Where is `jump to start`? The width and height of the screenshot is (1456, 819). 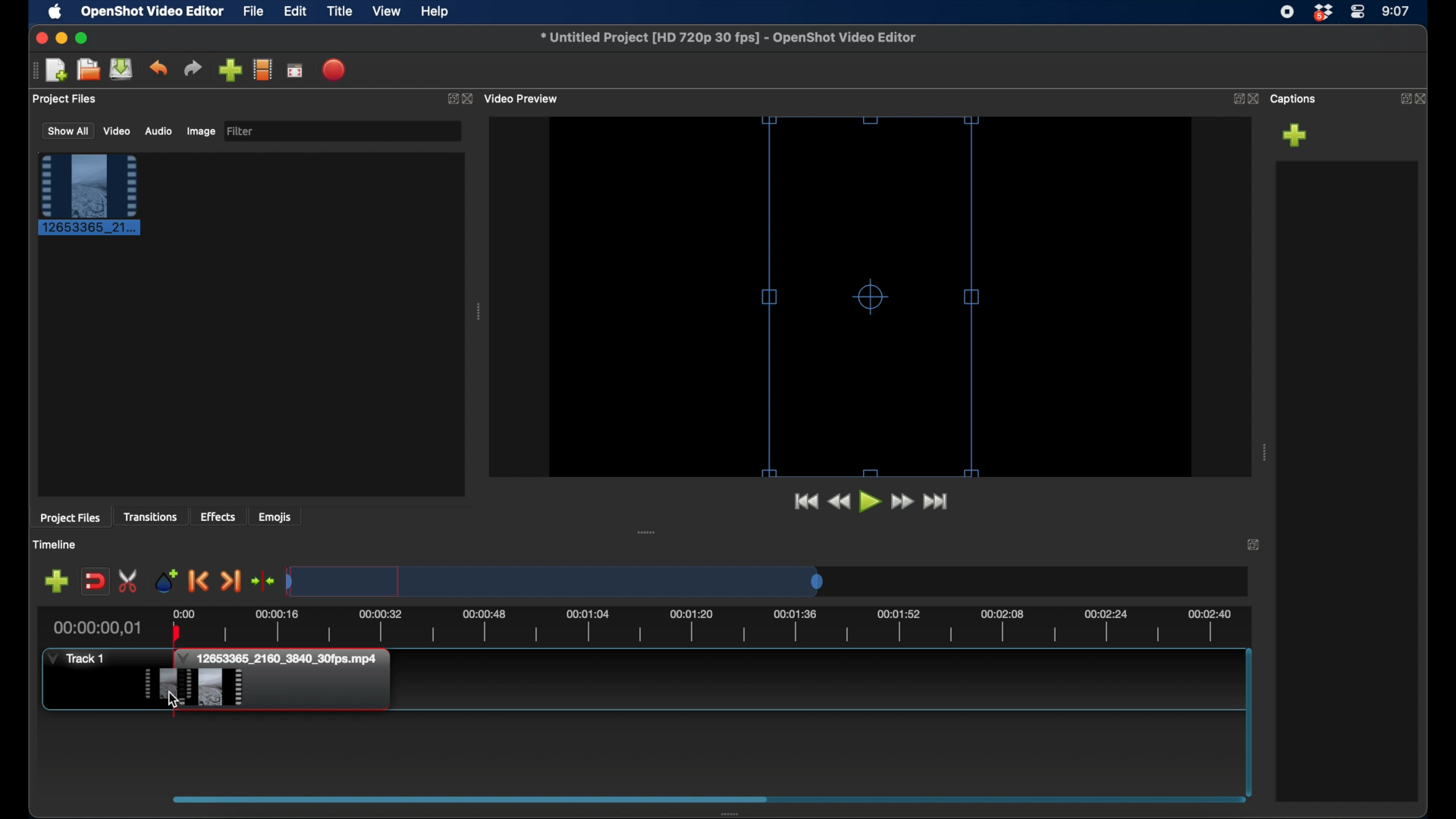
jump to start is located at coordinates (803, 501).